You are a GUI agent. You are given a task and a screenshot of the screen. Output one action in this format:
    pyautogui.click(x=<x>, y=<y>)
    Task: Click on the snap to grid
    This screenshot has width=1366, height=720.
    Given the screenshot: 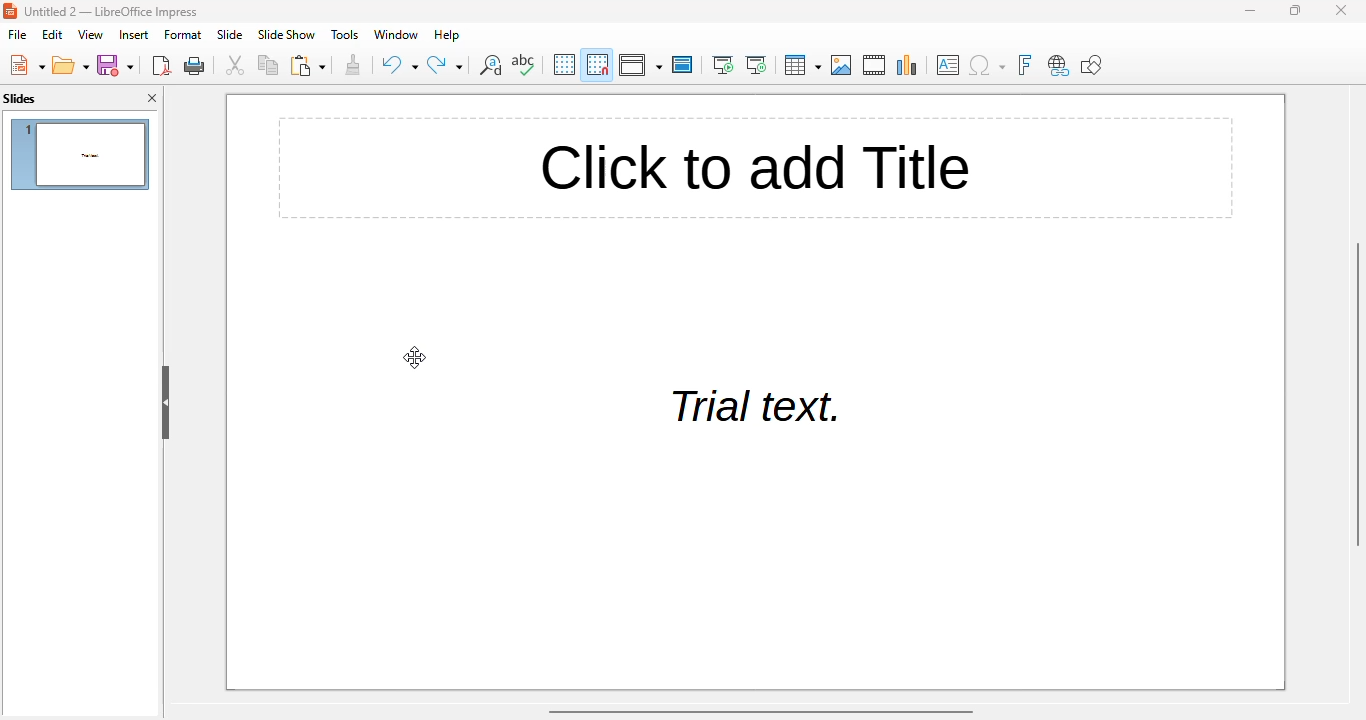 What is the action you would take?
    pyautogui.click(x=598, y=64)
    